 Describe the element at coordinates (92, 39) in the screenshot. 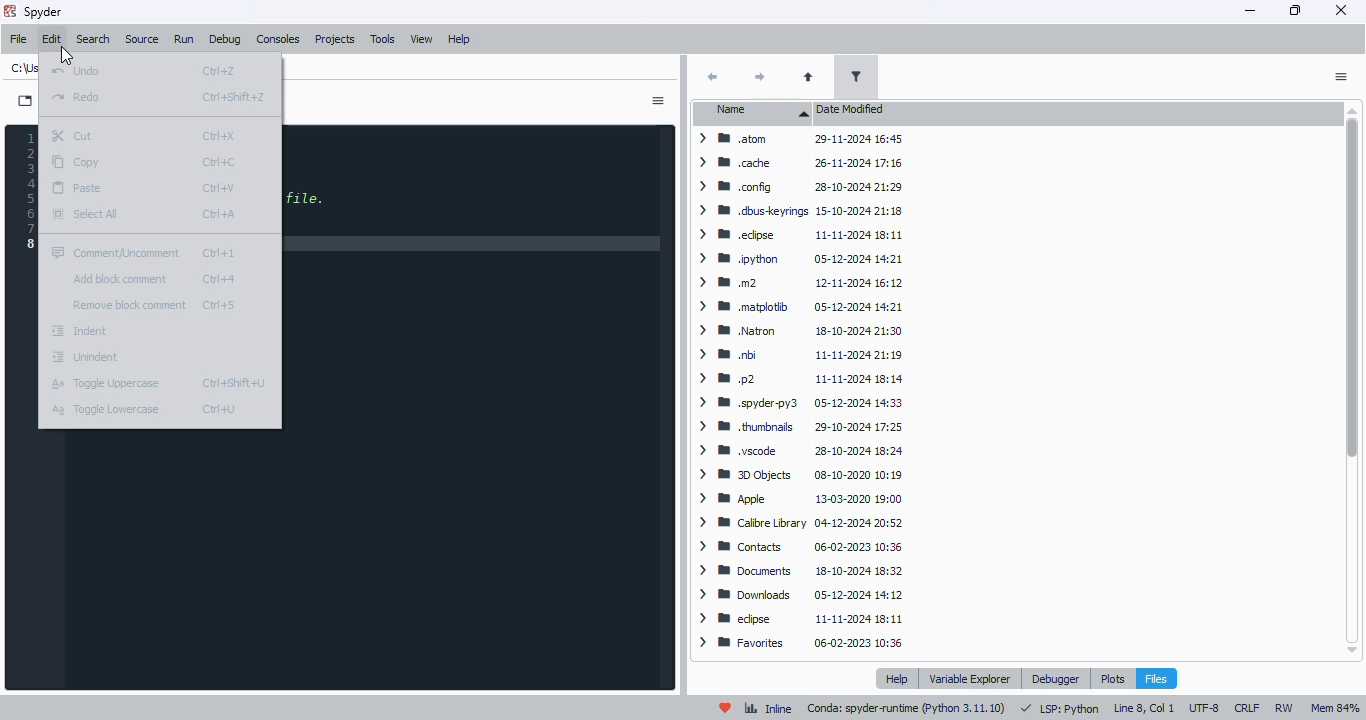

I see `search` at that location.